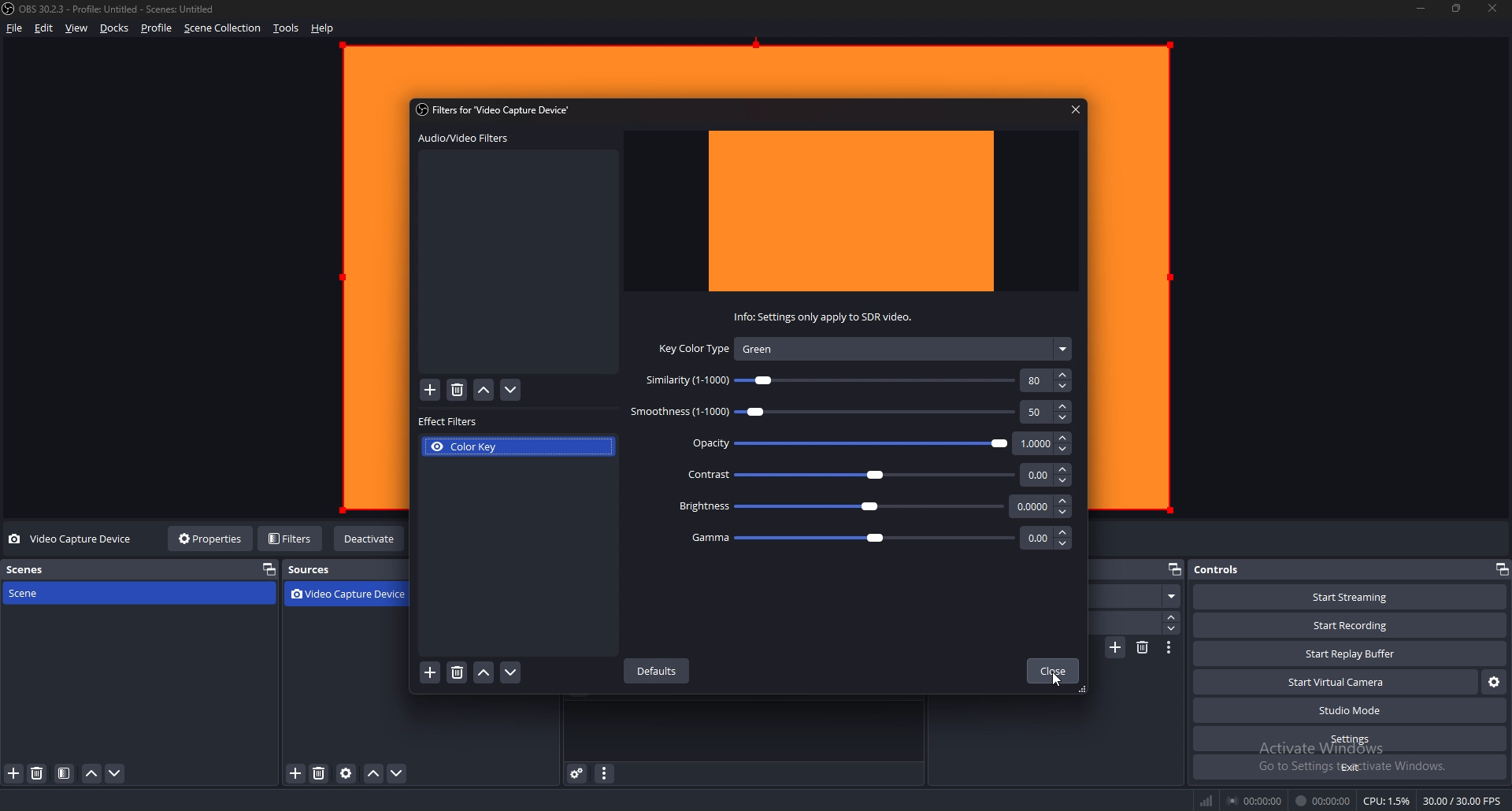  Describe the element at coordinates (1349, 767) in the screenshot. I see `exit` at that location.